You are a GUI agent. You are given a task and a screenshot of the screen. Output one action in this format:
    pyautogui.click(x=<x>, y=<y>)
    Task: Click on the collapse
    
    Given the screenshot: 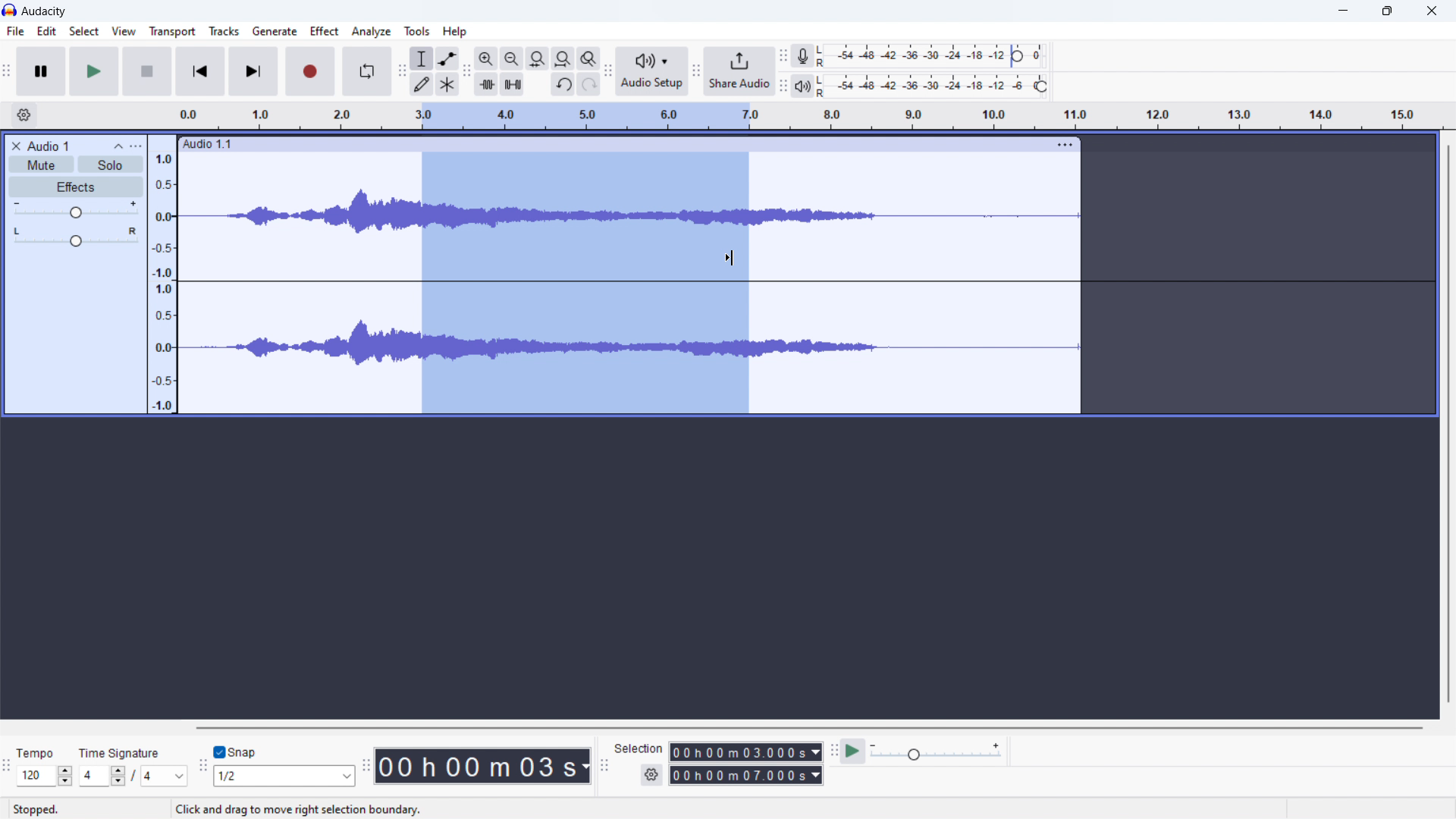 What is the action you would take?
    pyautogui.click(x=118, y=145)
    